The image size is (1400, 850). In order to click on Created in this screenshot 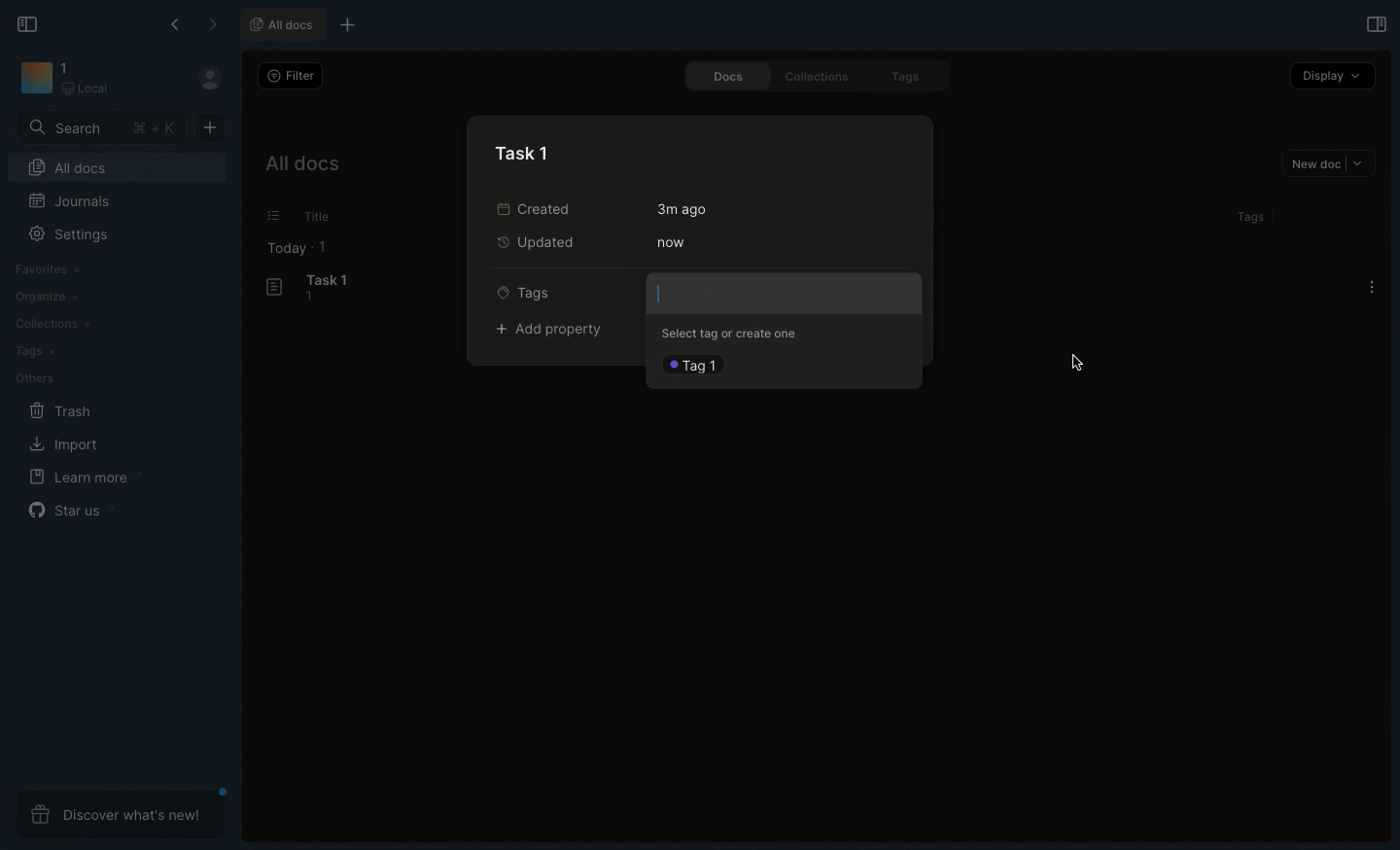, I will do `click(546, 207)`.